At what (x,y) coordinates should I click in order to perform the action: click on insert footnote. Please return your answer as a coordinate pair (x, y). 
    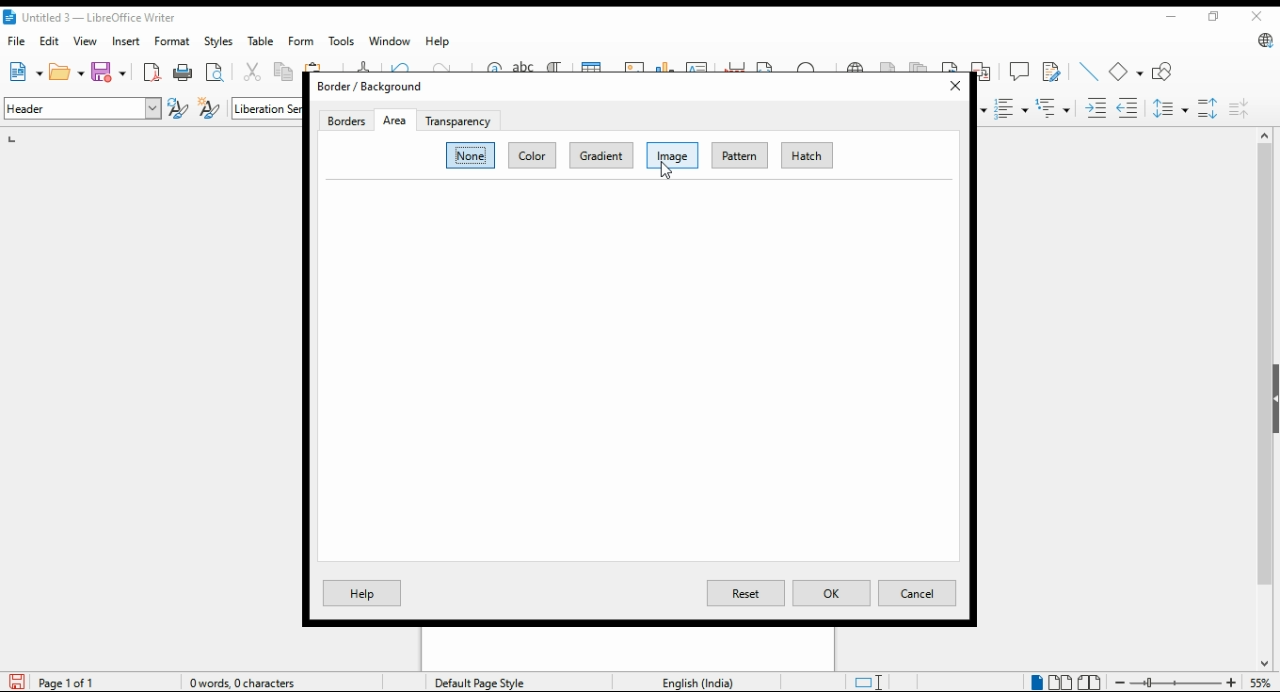
    Looking at the image, I should click on (889, 63).